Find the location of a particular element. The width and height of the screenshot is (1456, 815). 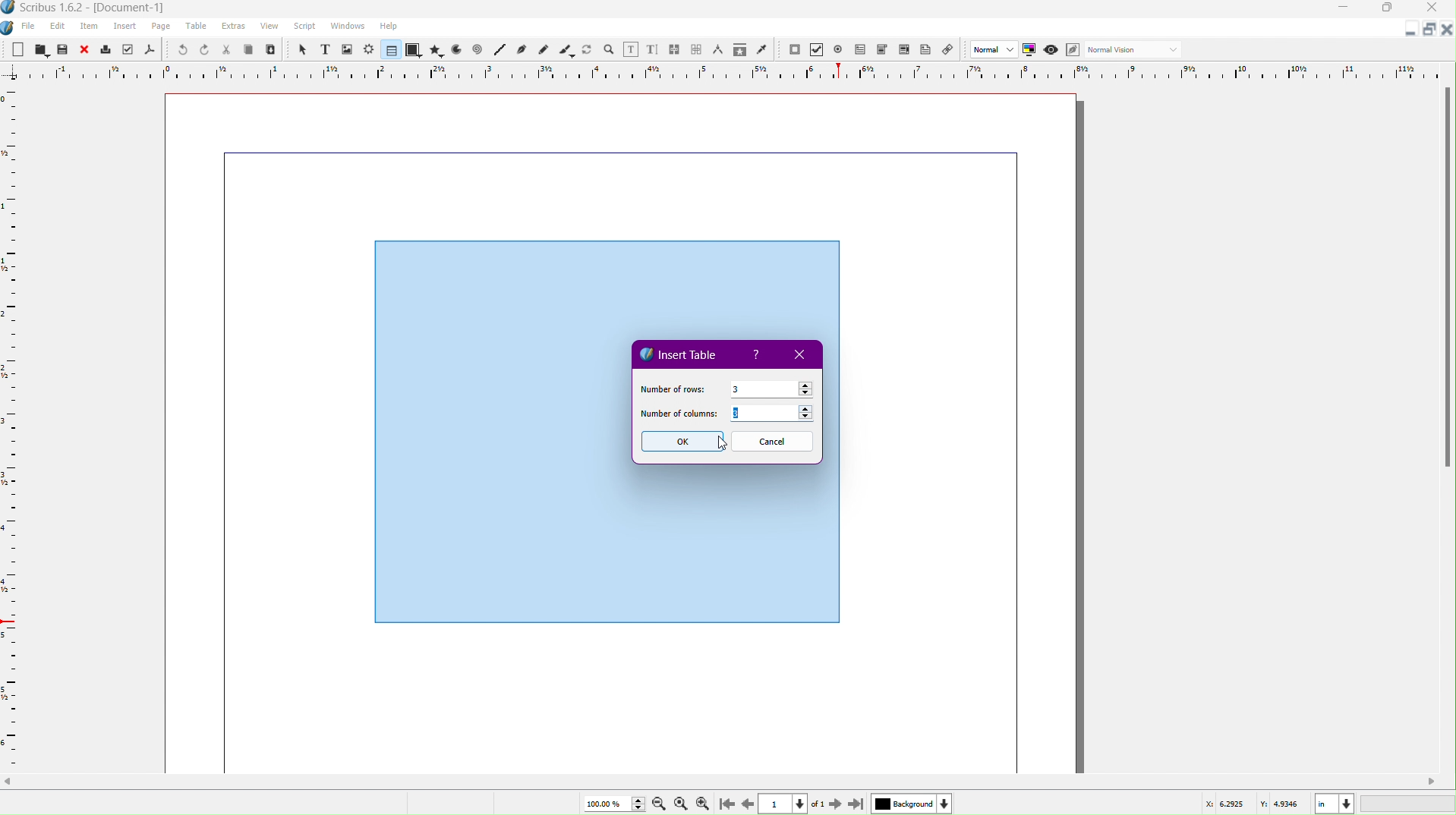

Preview Mode is located at coordinates (1053, 51).